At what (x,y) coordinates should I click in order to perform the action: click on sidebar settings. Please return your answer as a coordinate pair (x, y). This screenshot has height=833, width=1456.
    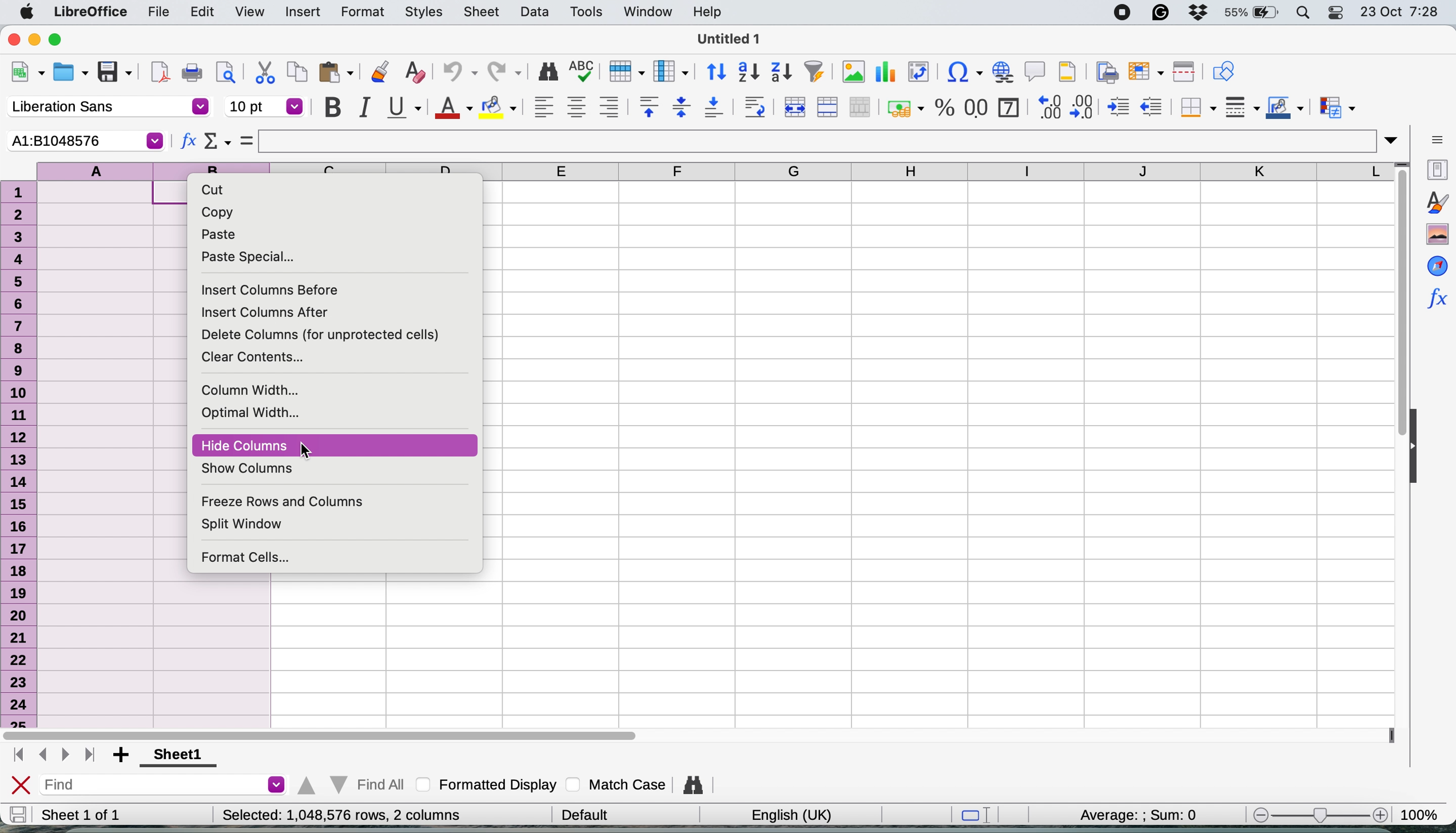
    Looking at the image, I should click on (1437, 138).